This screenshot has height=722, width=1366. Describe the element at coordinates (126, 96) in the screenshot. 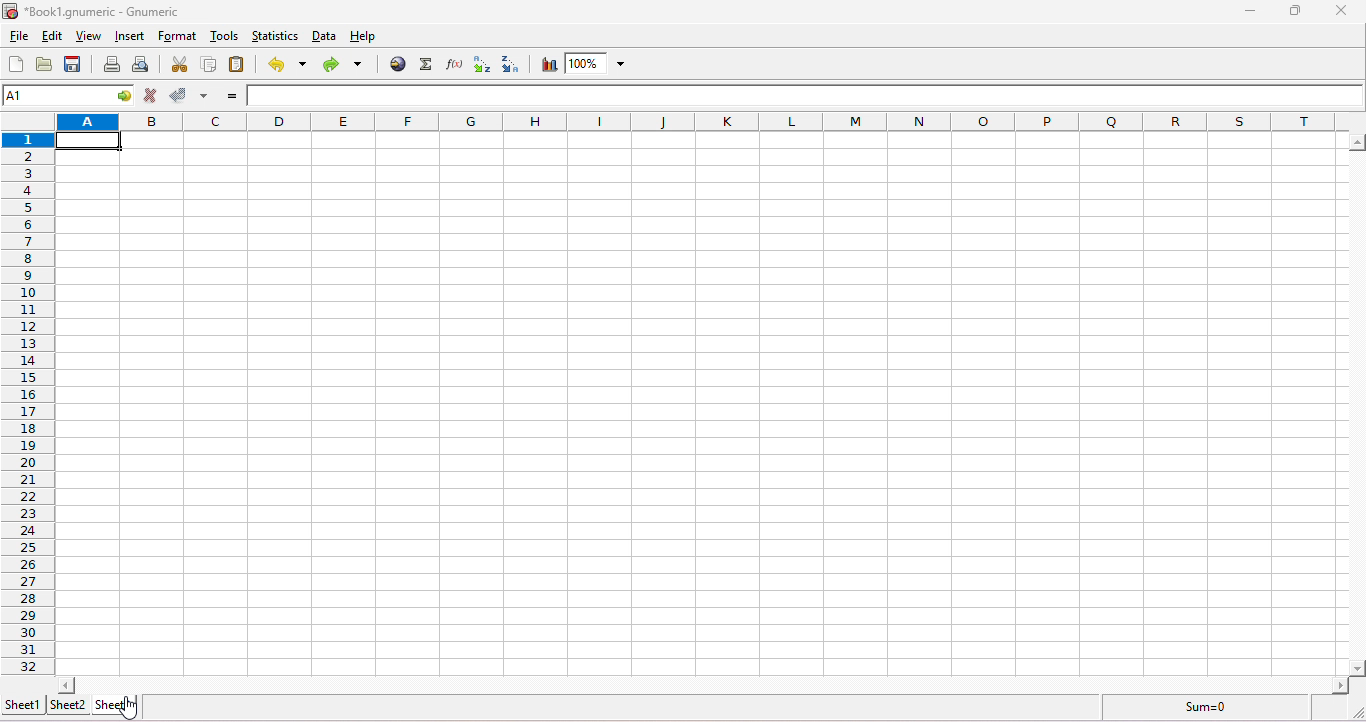

I see `go to` at that location.